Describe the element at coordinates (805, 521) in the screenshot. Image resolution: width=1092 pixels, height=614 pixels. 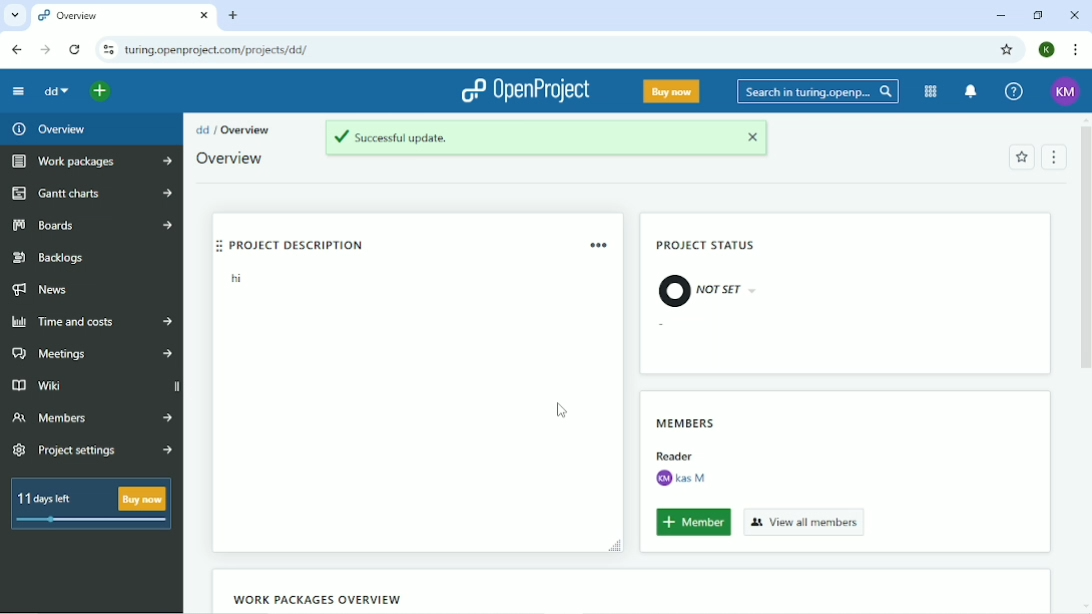
I see `View all members` at that location.